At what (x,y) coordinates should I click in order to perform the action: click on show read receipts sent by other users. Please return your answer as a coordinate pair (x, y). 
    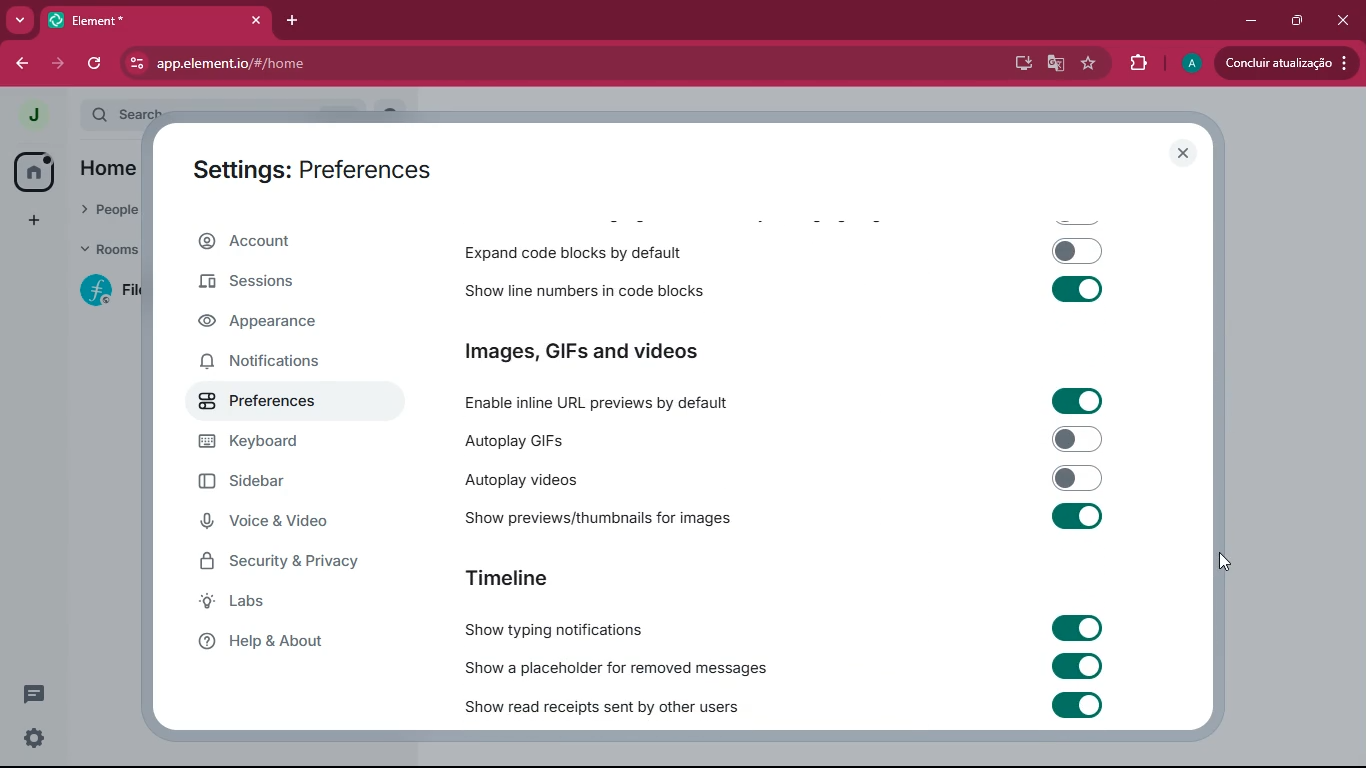
    Looking at the image, I should click on (630, 705).